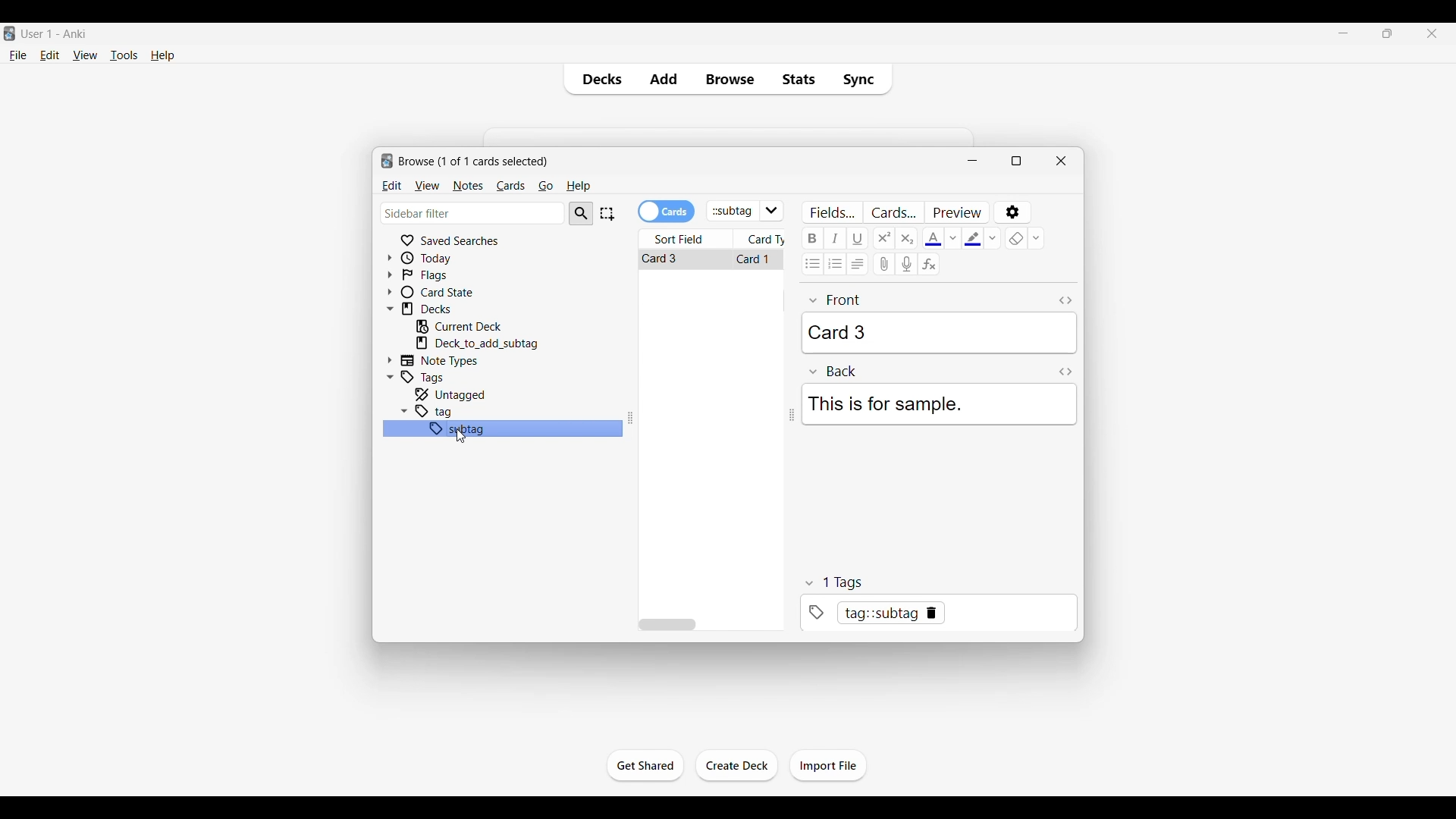 This screenshot has height=819, width=1456. What do you see at coordinates (835, 238) in the screenshot?
I see `Italic text` at bounding box center [835, 238].